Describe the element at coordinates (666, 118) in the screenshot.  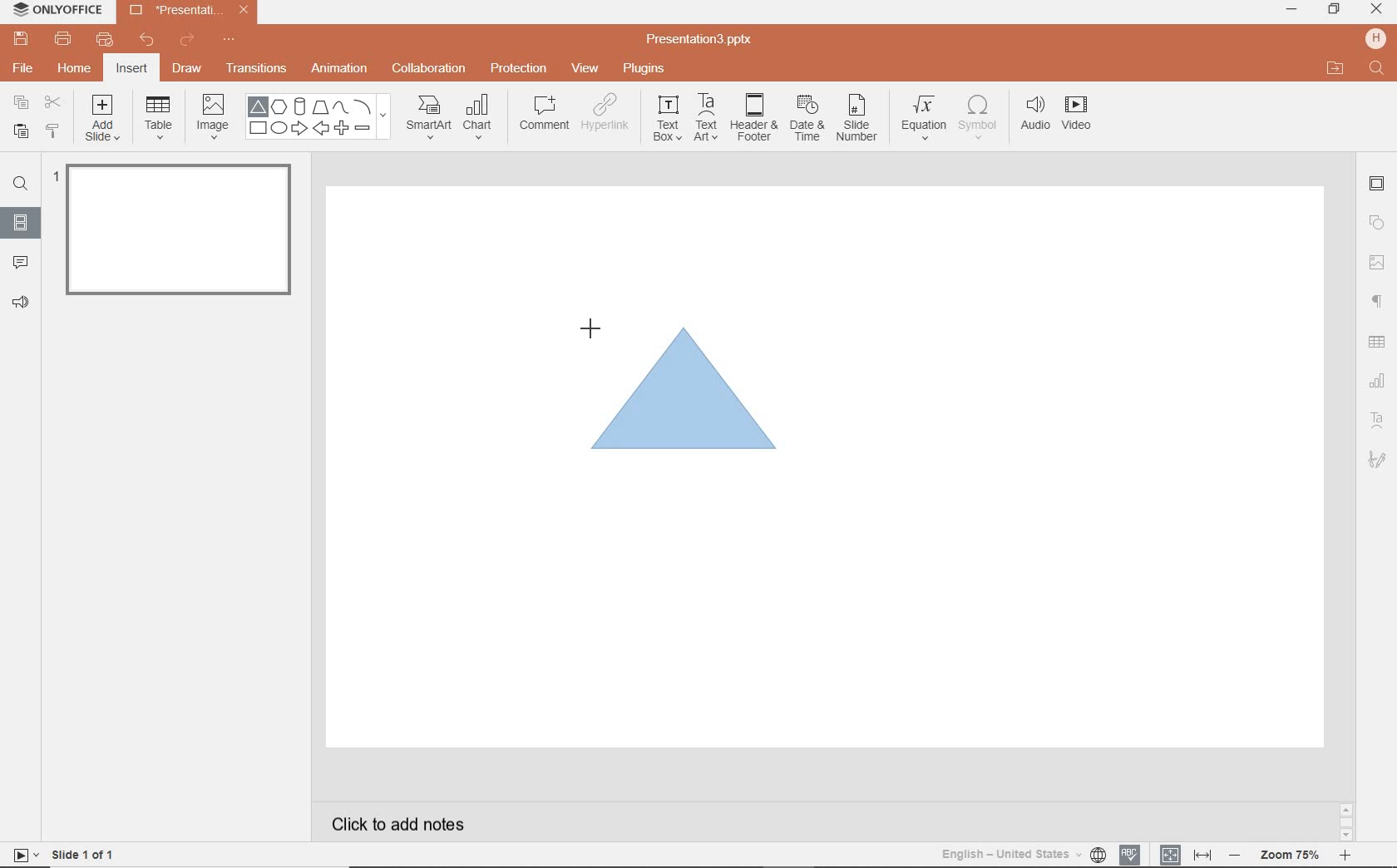
I see `TEXT BOX` at that location.